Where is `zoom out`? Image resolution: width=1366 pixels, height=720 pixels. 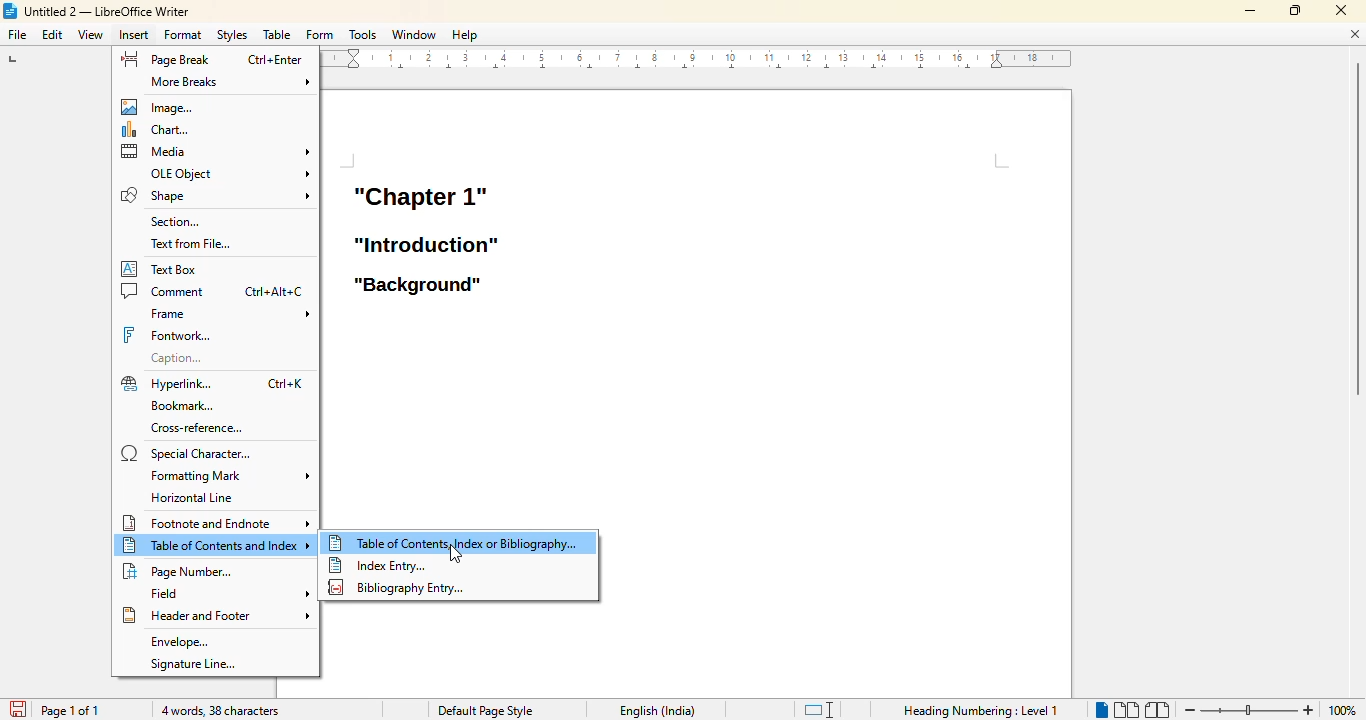 zoom out is located at coordinates (1188, 711).